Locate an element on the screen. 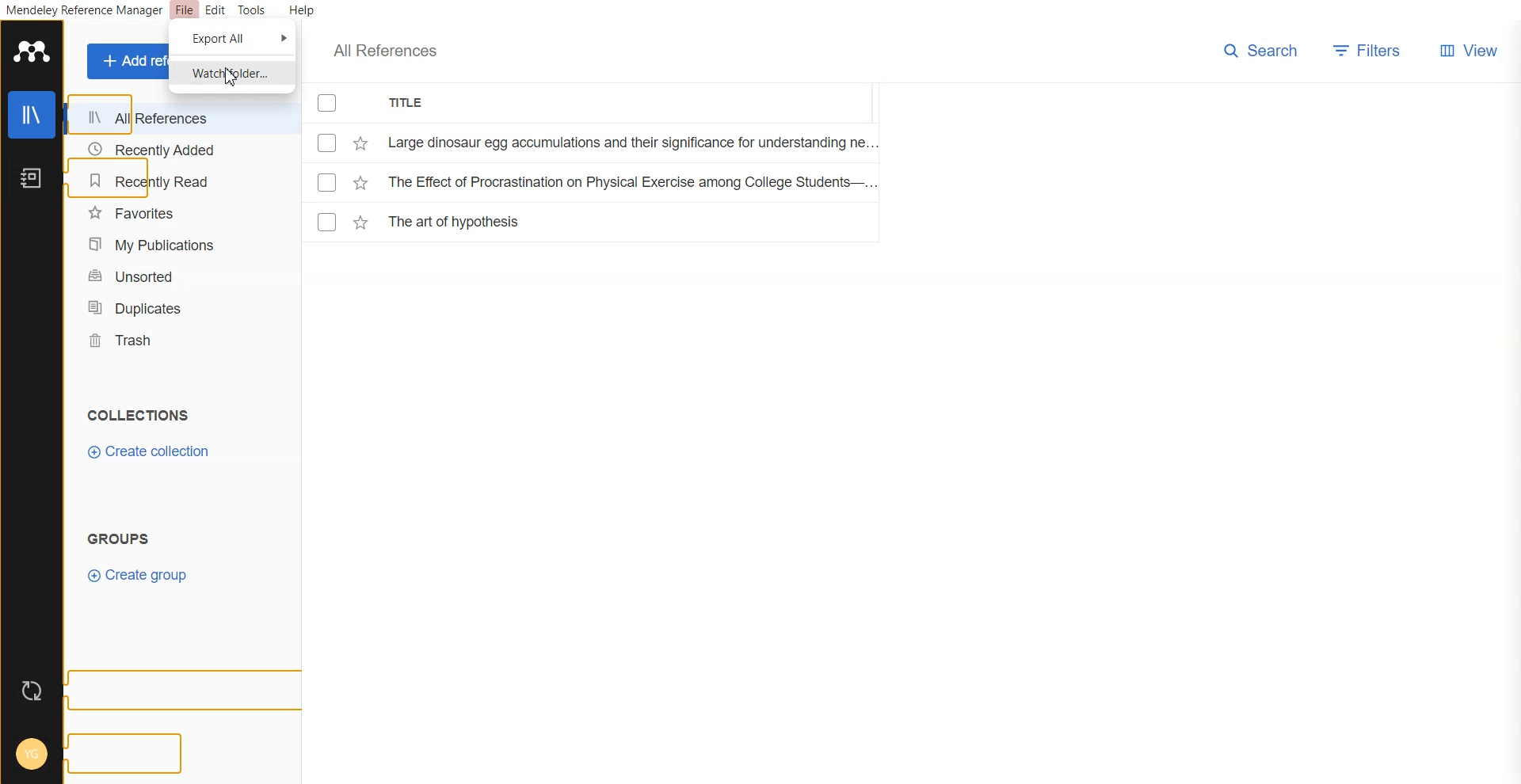 The height and width of the screenshot is (784, 1521). Library is located at coordinates (32, 114).